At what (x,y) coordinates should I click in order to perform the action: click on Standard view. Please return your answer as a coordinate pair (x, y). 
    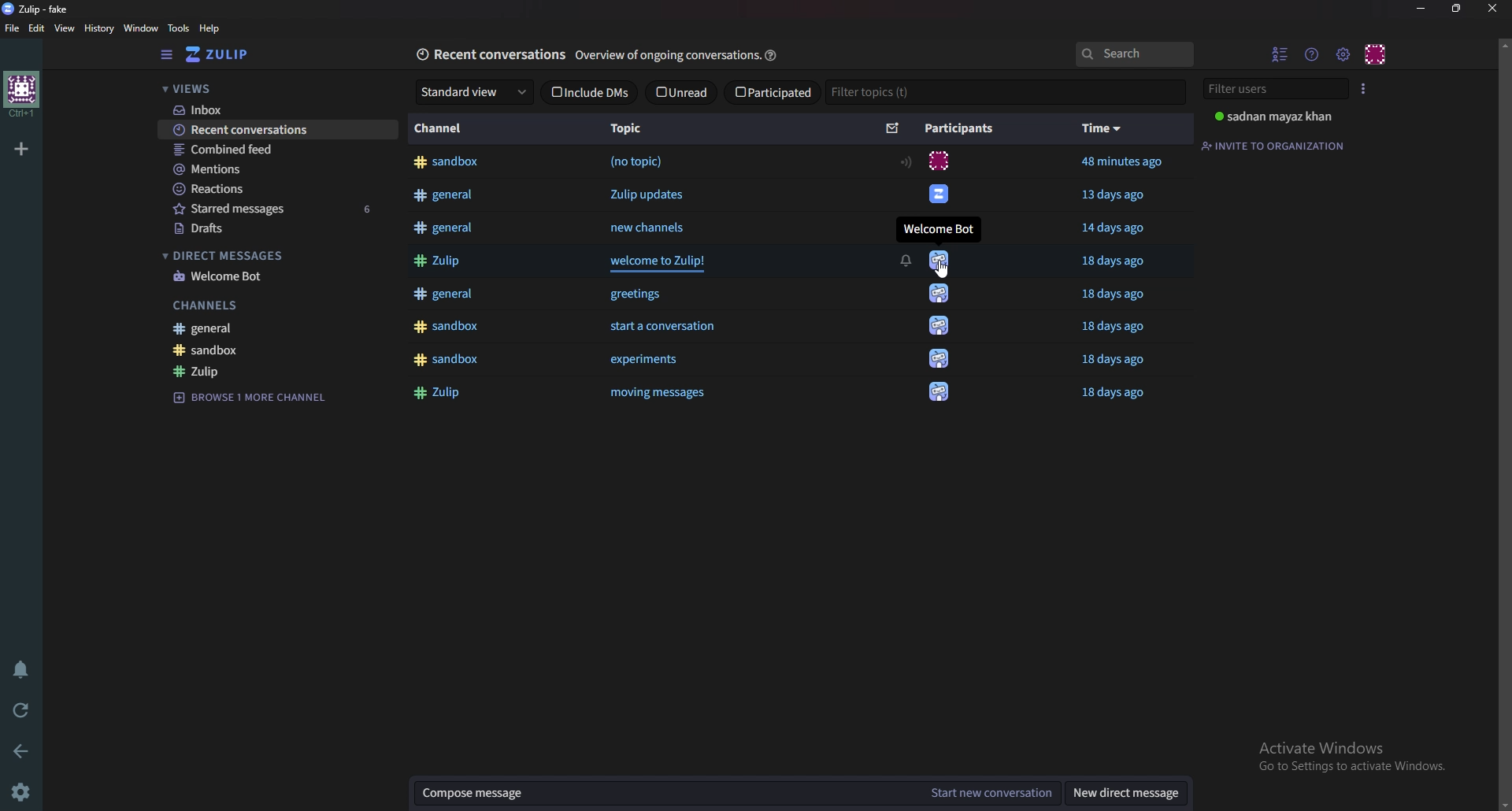
    Looking at the image, I should click on (476, 92).